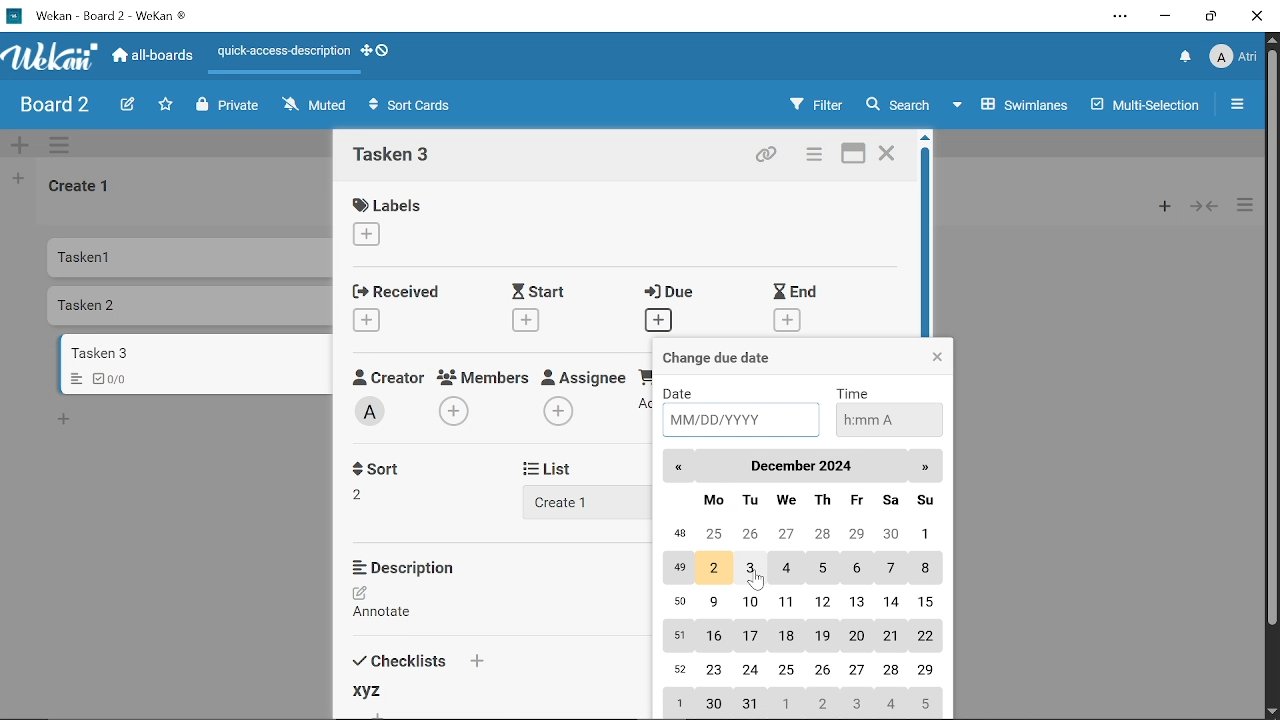  What do you see at coordinates (572, 501) in the screenshot?
I see `Add list` at bounding box center [572, 501].